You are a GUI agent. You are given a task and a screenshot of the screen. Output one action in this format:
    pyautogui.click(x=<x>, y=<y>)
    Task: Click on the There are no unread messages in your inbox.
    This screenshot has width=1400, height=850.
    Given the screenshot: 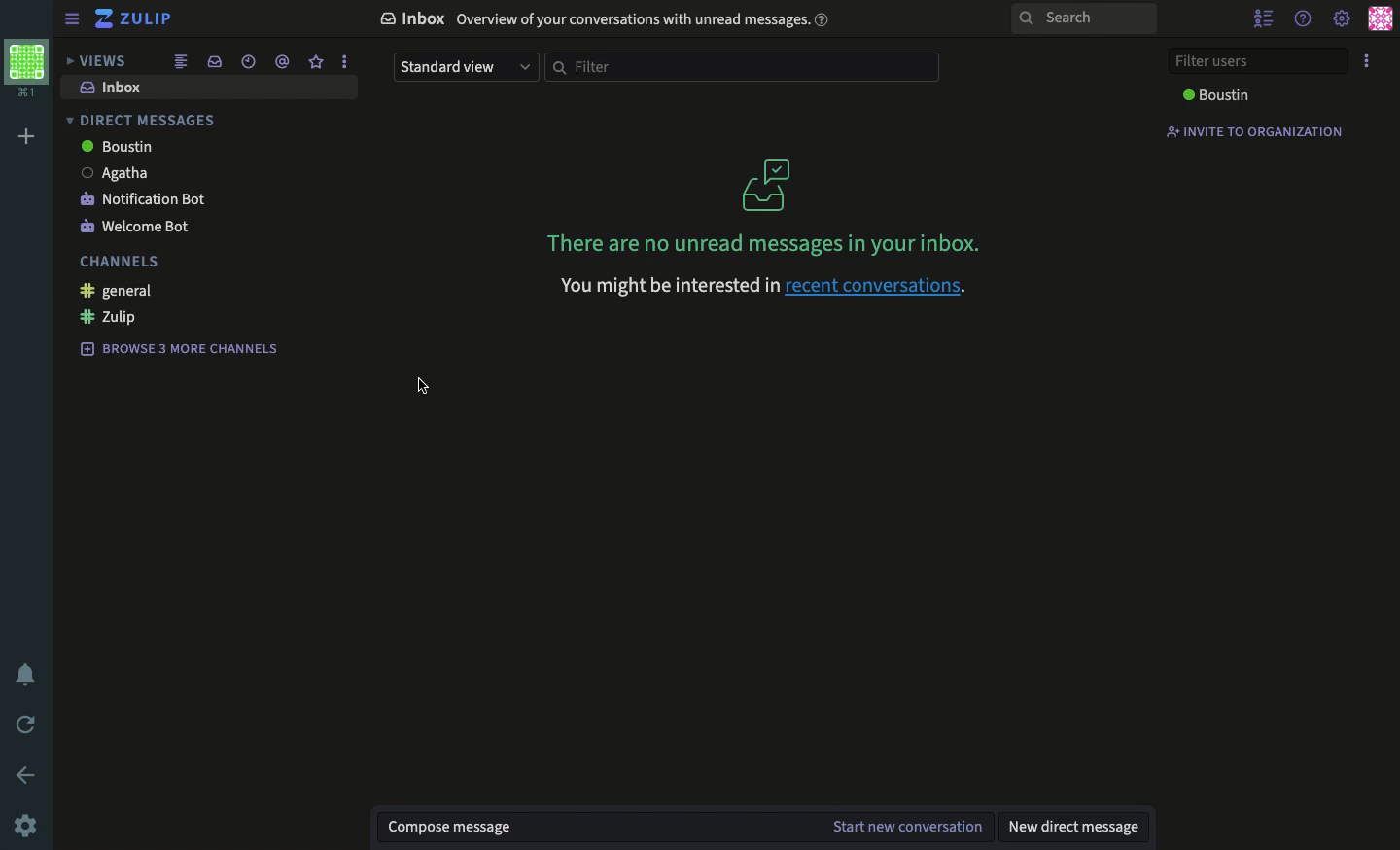 What is the action you would take?
    pyautogui.click(x=768, y=204)
    